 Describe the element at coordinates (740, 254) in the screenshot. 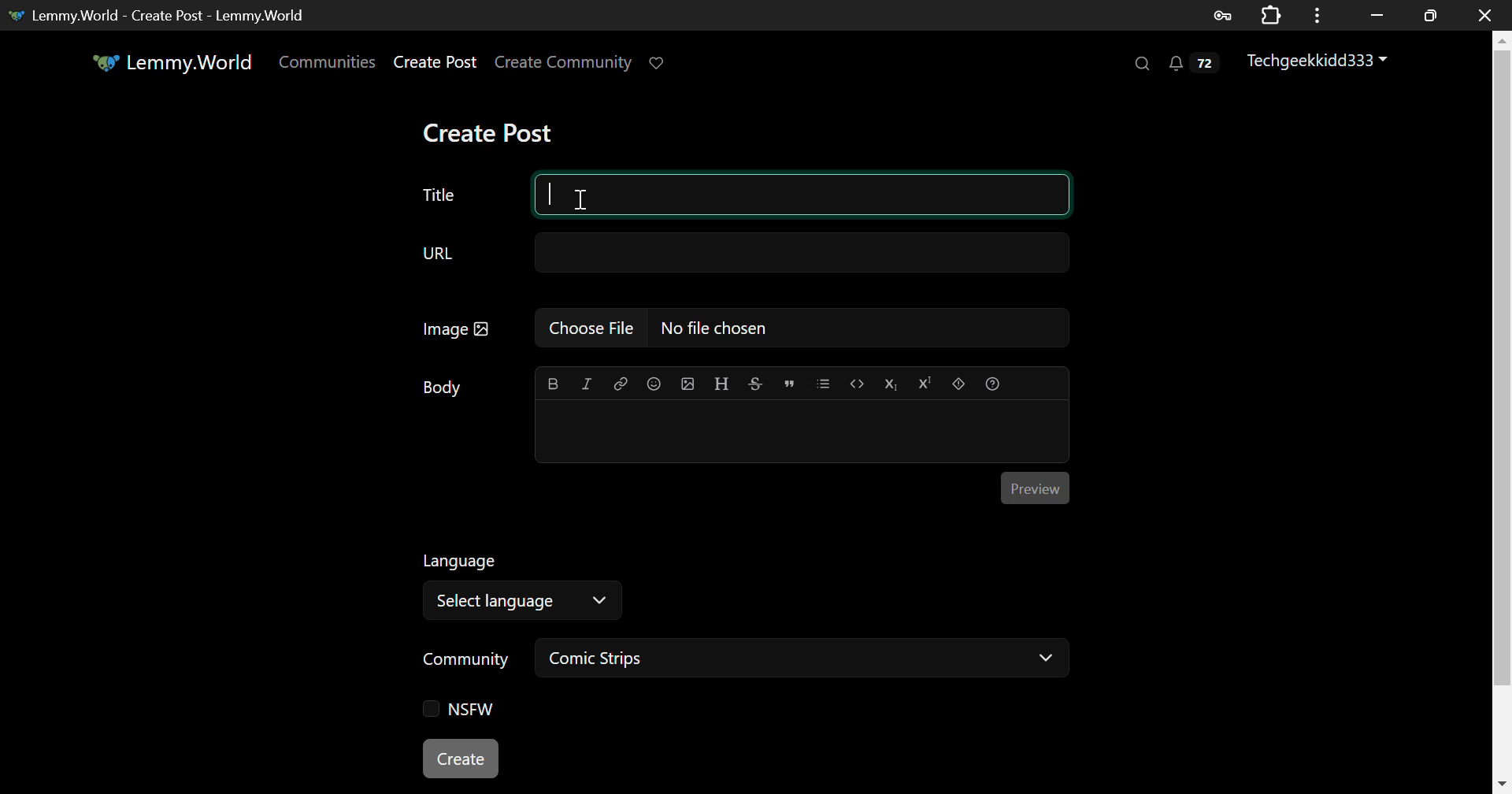

I see `URL Field` at that location.